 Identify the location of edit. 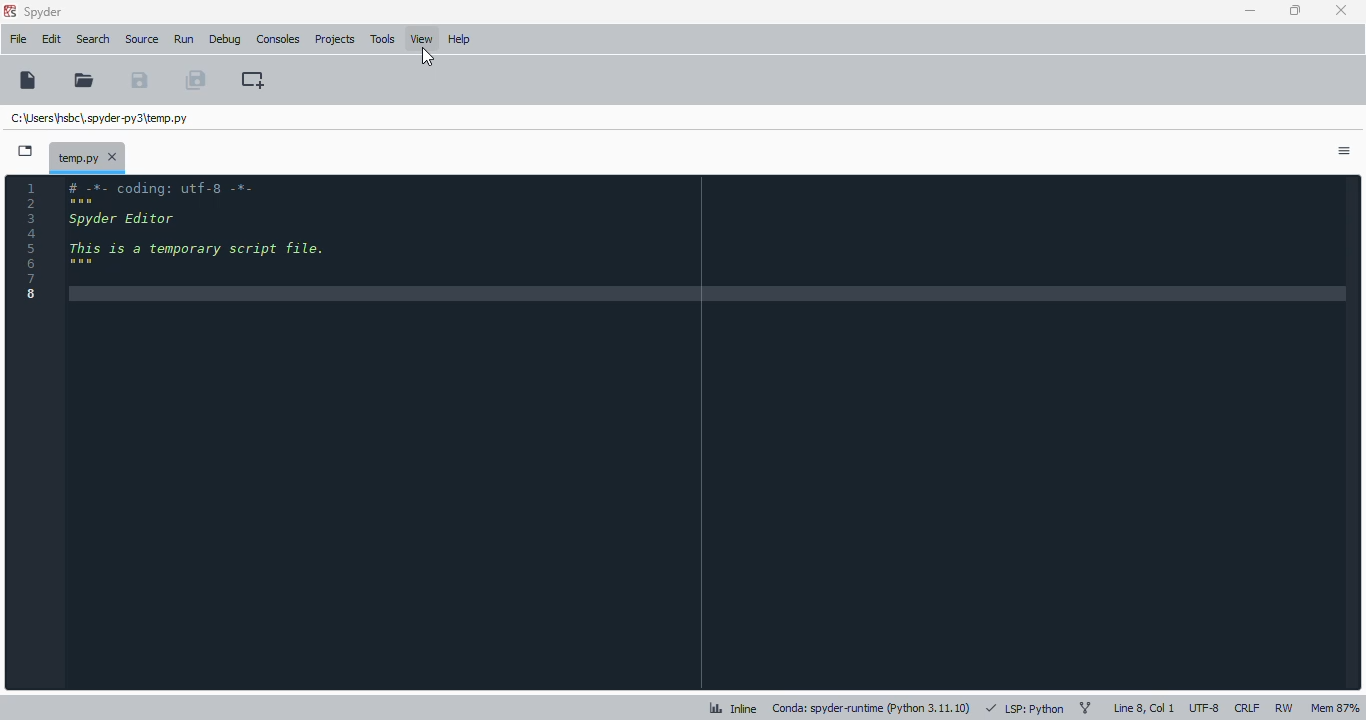
(51, 39).